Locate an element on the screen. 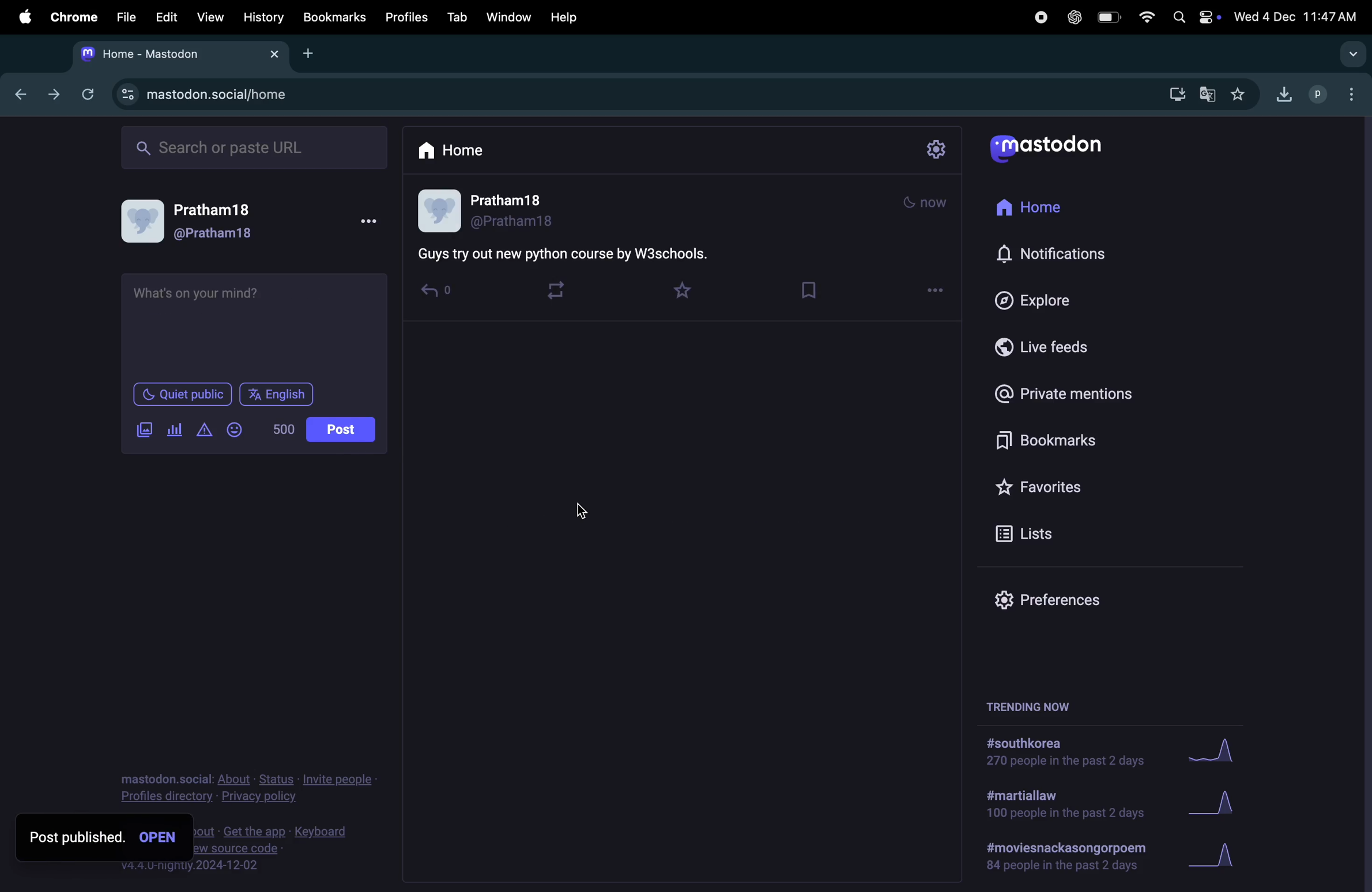  mastodon is located at coordinates (1053, 146).